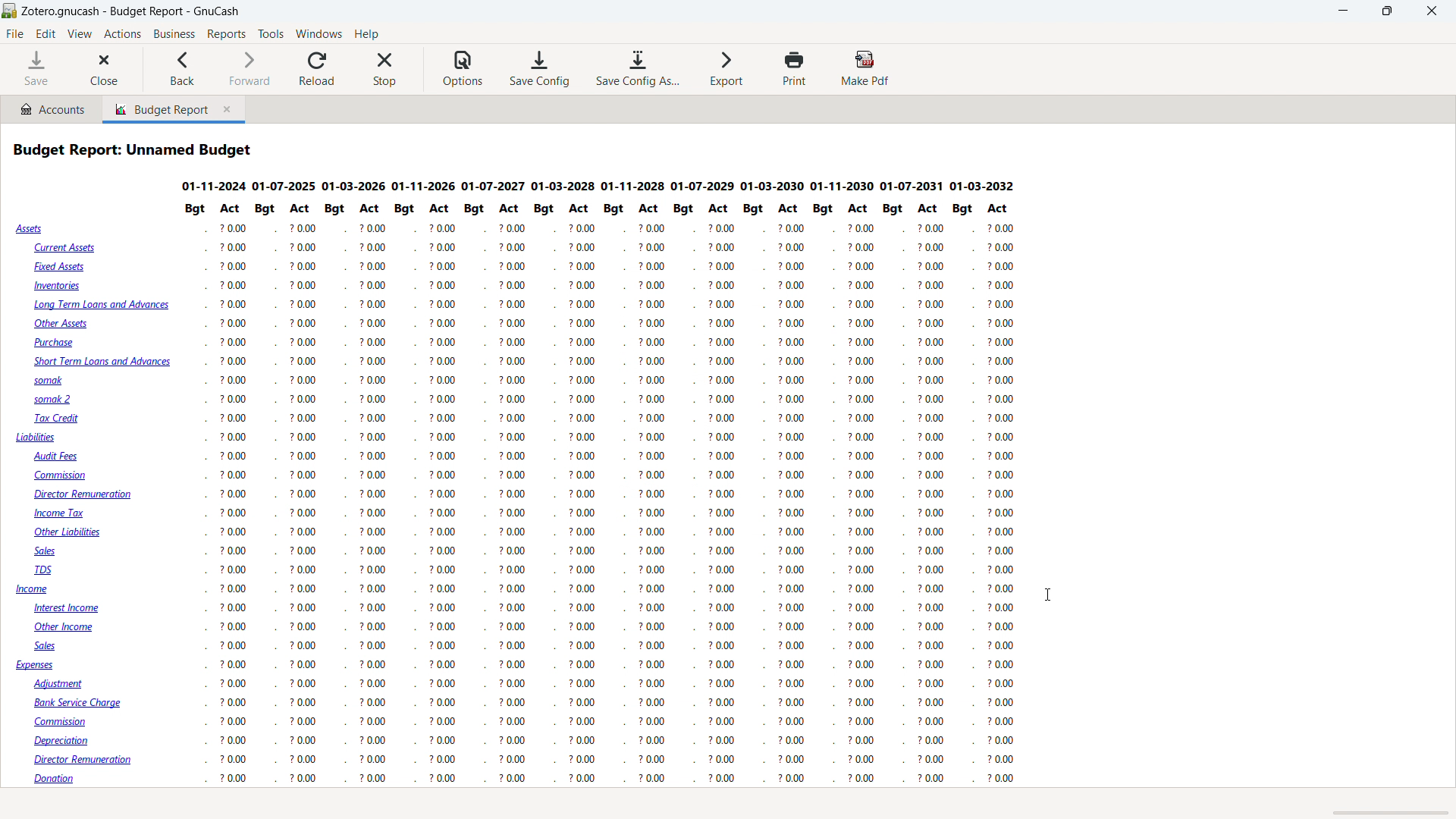 This screenshot has height=819, width=1456. Describe the element at coordinates (33, 590) in the screenshot. I see `Income` at that location.